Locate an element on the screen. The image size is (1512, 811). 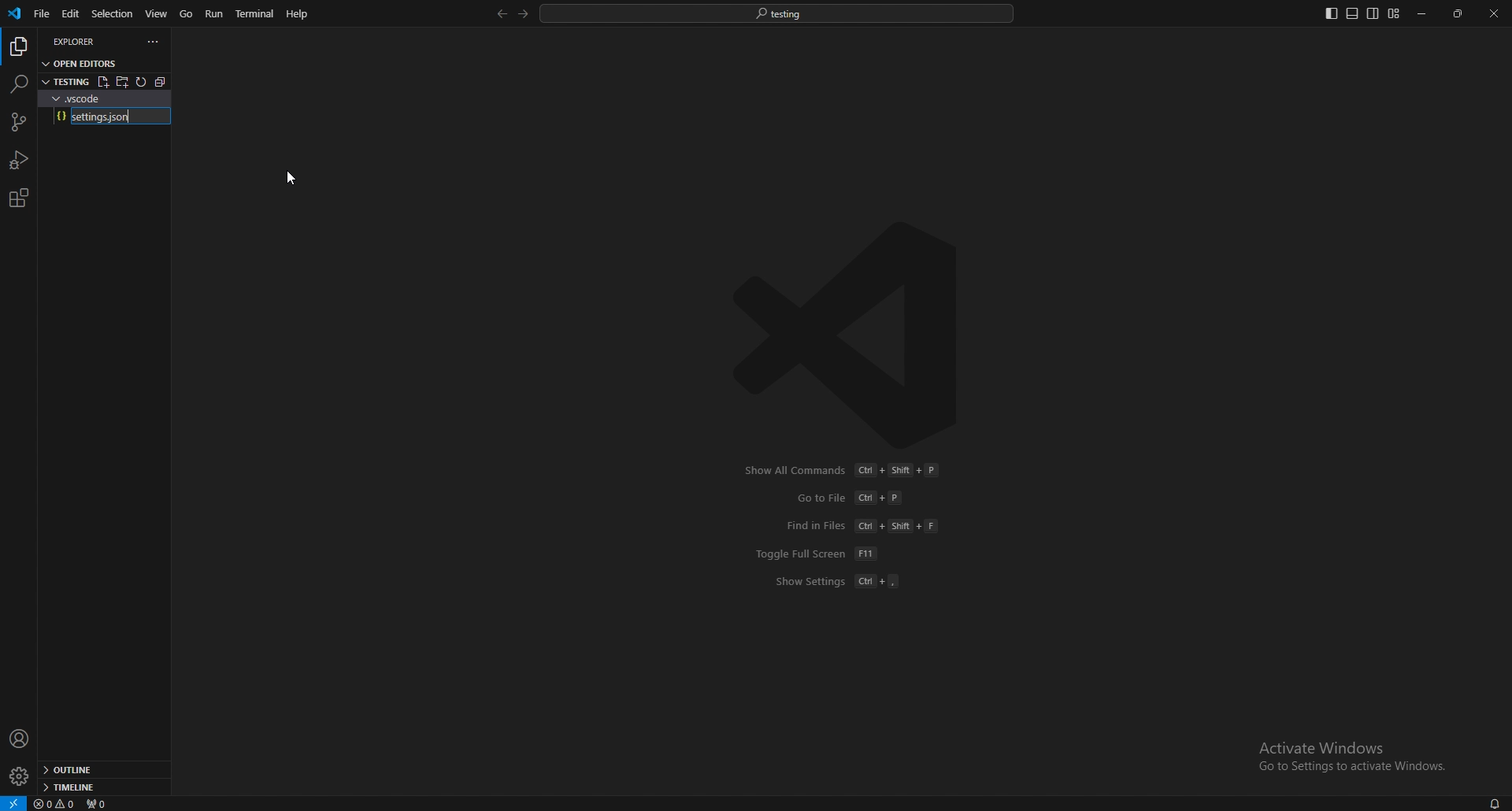
options is located at coordinates (154, 42).